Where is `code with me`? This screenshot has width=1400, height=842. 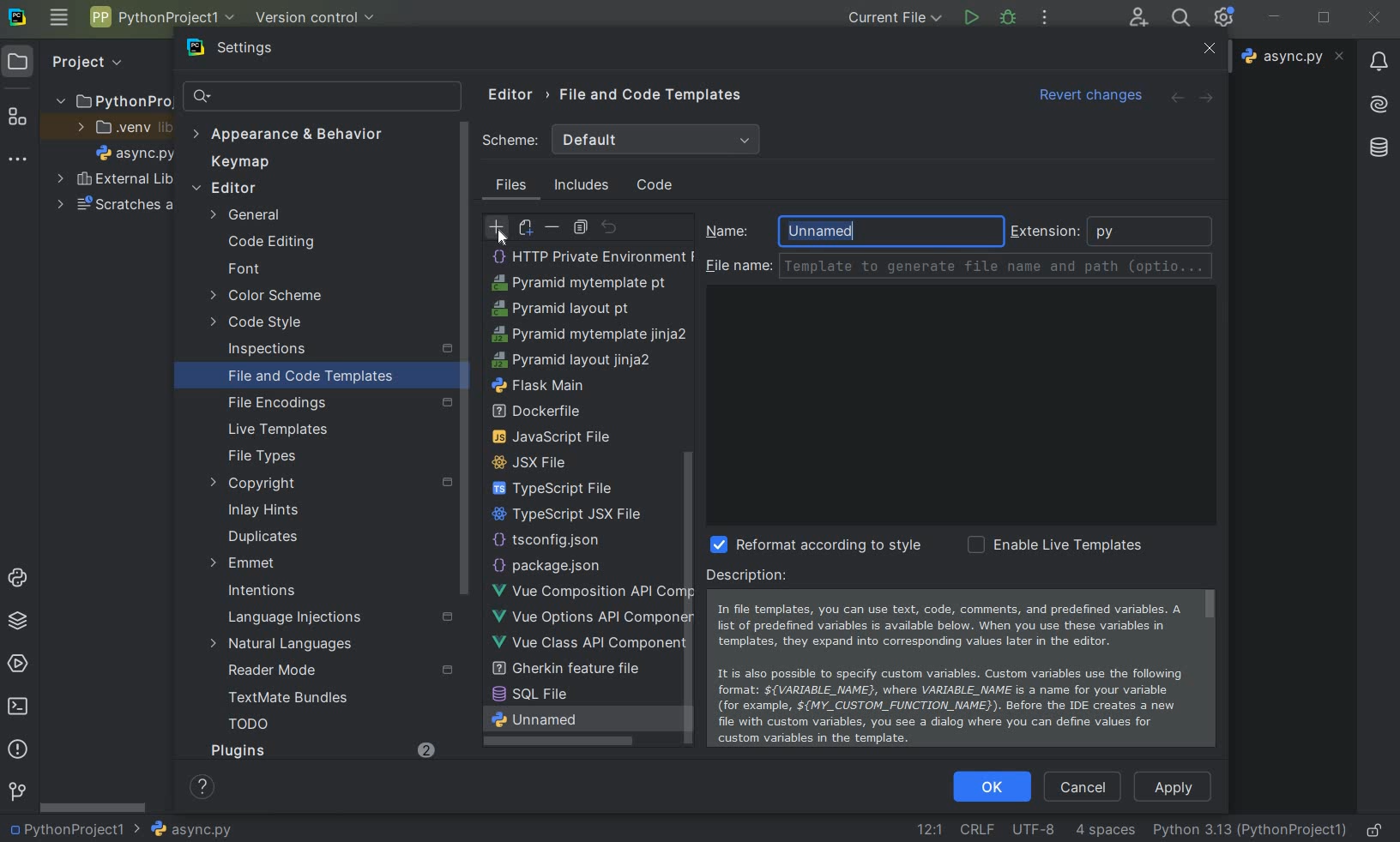 code with me is located at coordinates (1138, 19).